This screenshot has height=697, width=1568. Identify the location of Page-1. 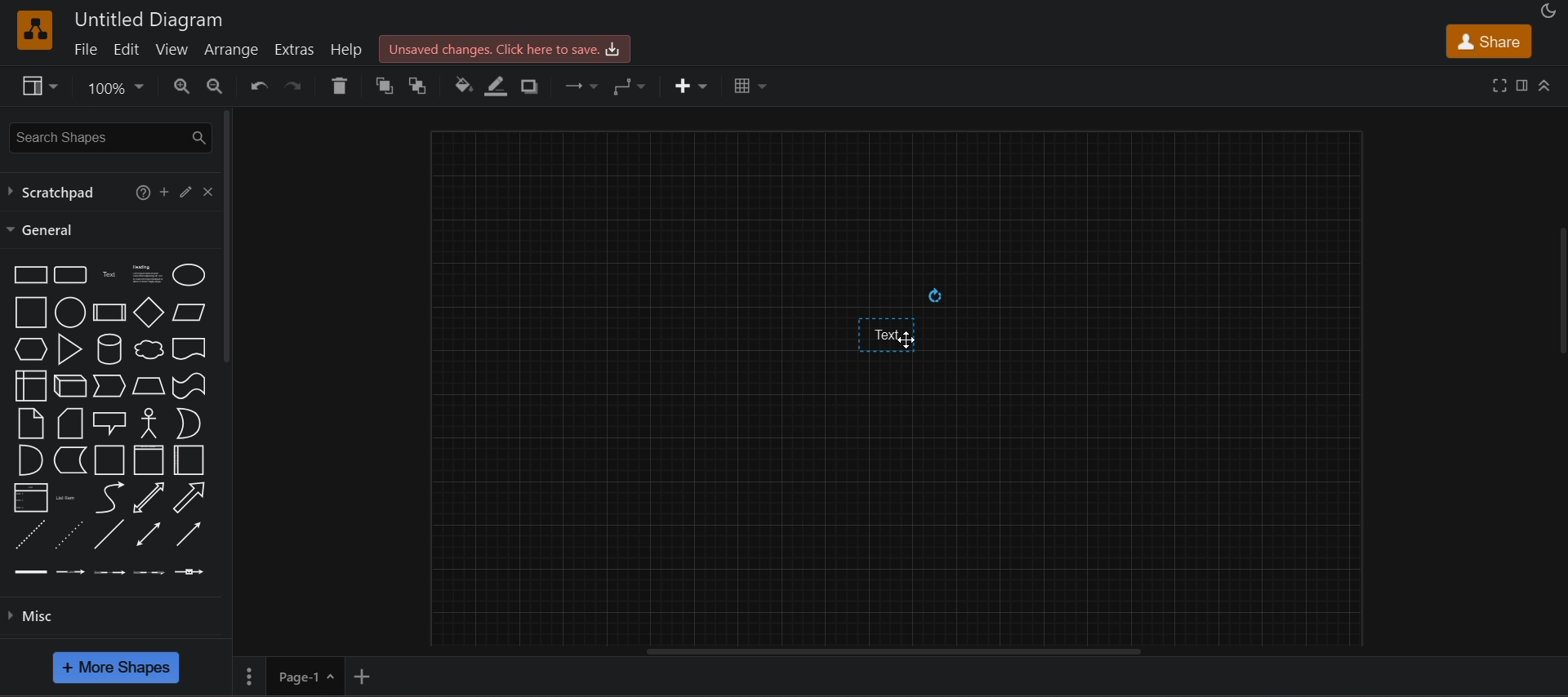
(292, 676).